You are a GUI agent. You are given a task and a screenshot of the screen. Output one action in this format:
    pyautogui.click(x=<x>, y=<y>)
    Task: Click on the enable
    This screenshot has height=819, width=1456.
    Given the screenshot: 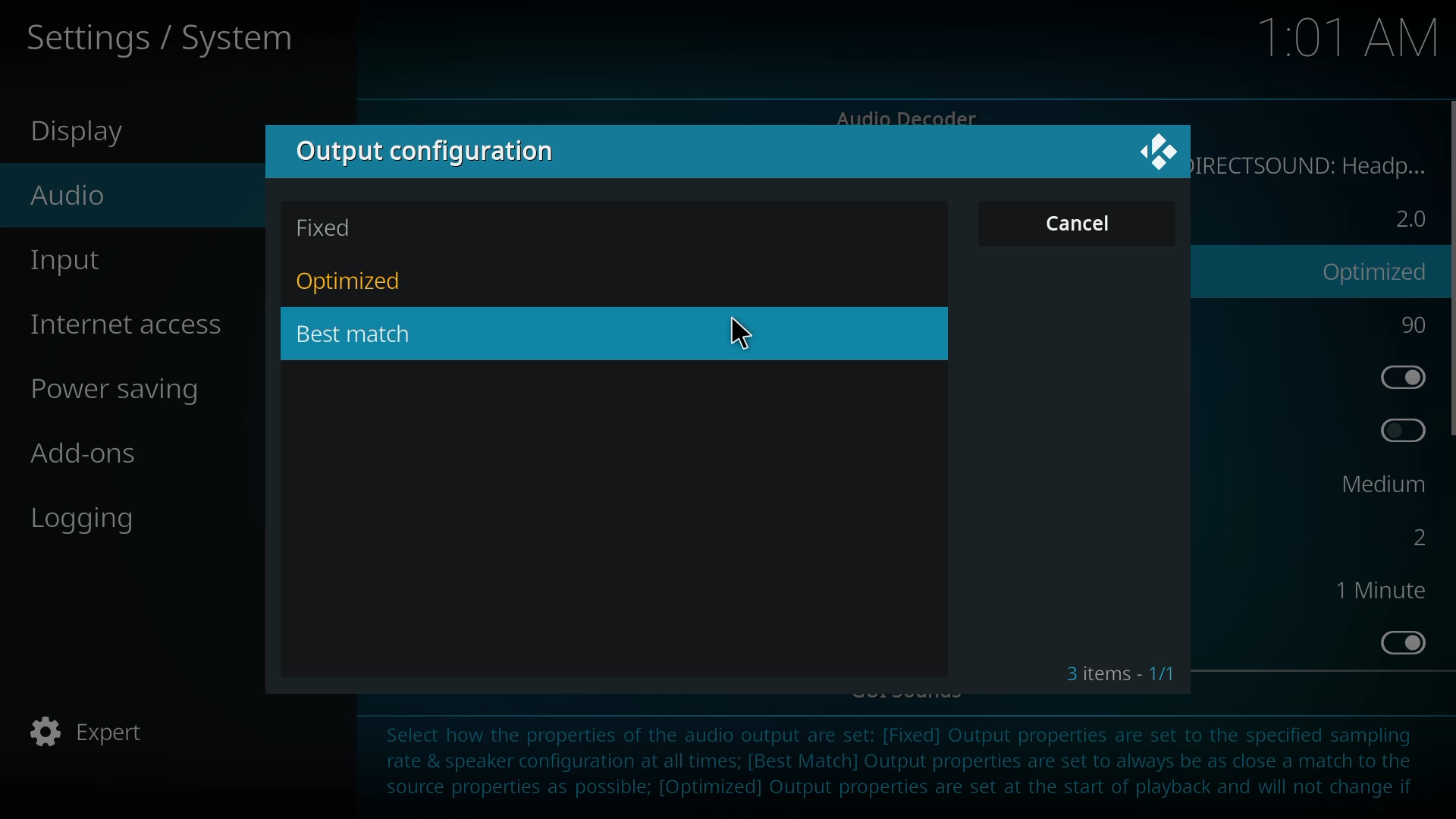 What is the action you would take?
    pyautogui.click(x=1397, y=431)
    